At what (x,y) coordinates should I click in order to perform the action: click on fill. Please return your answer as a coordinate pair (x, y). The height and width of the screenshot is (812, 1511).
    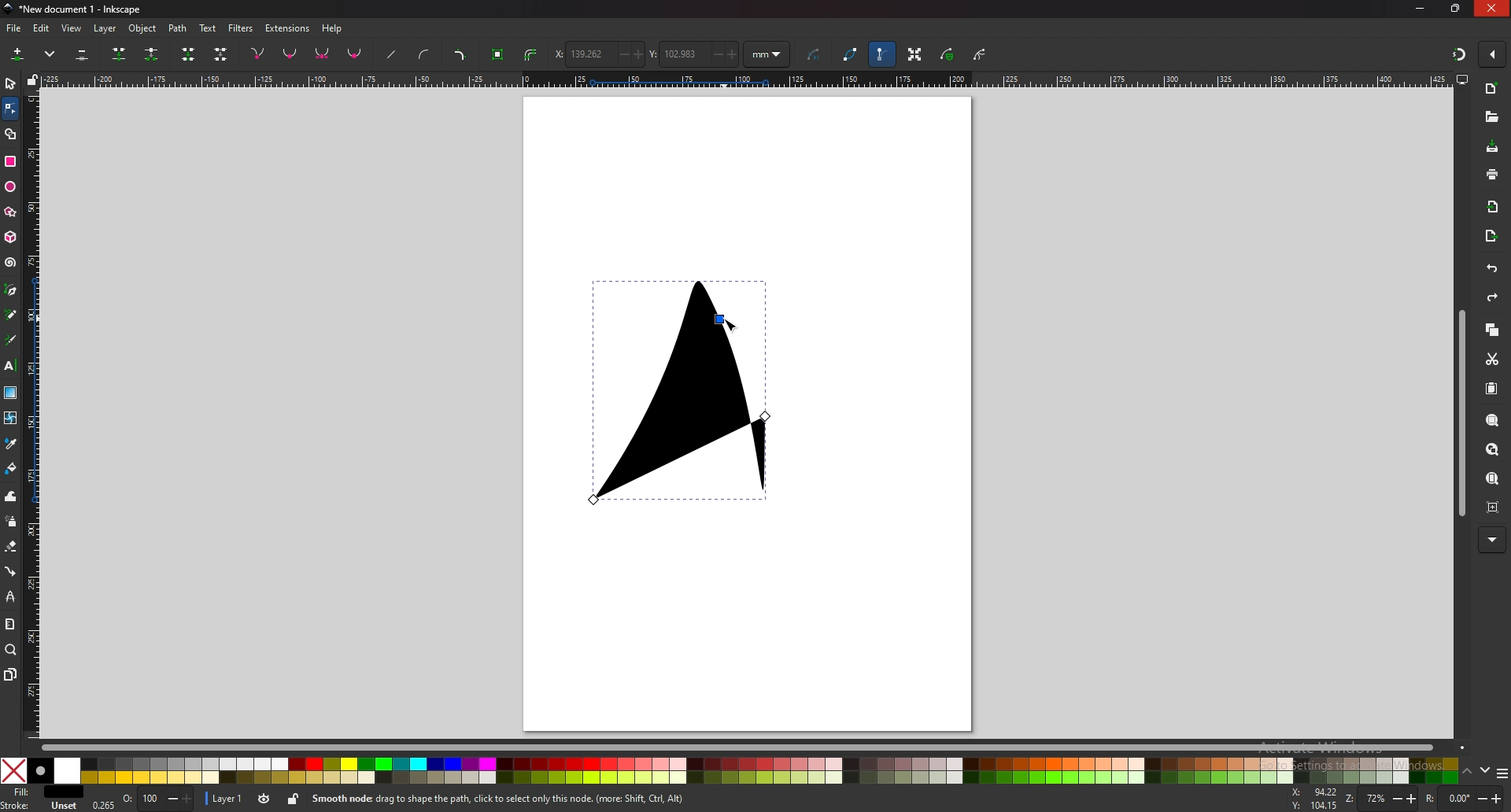
    Looking at the image, I should click on (40, 792).